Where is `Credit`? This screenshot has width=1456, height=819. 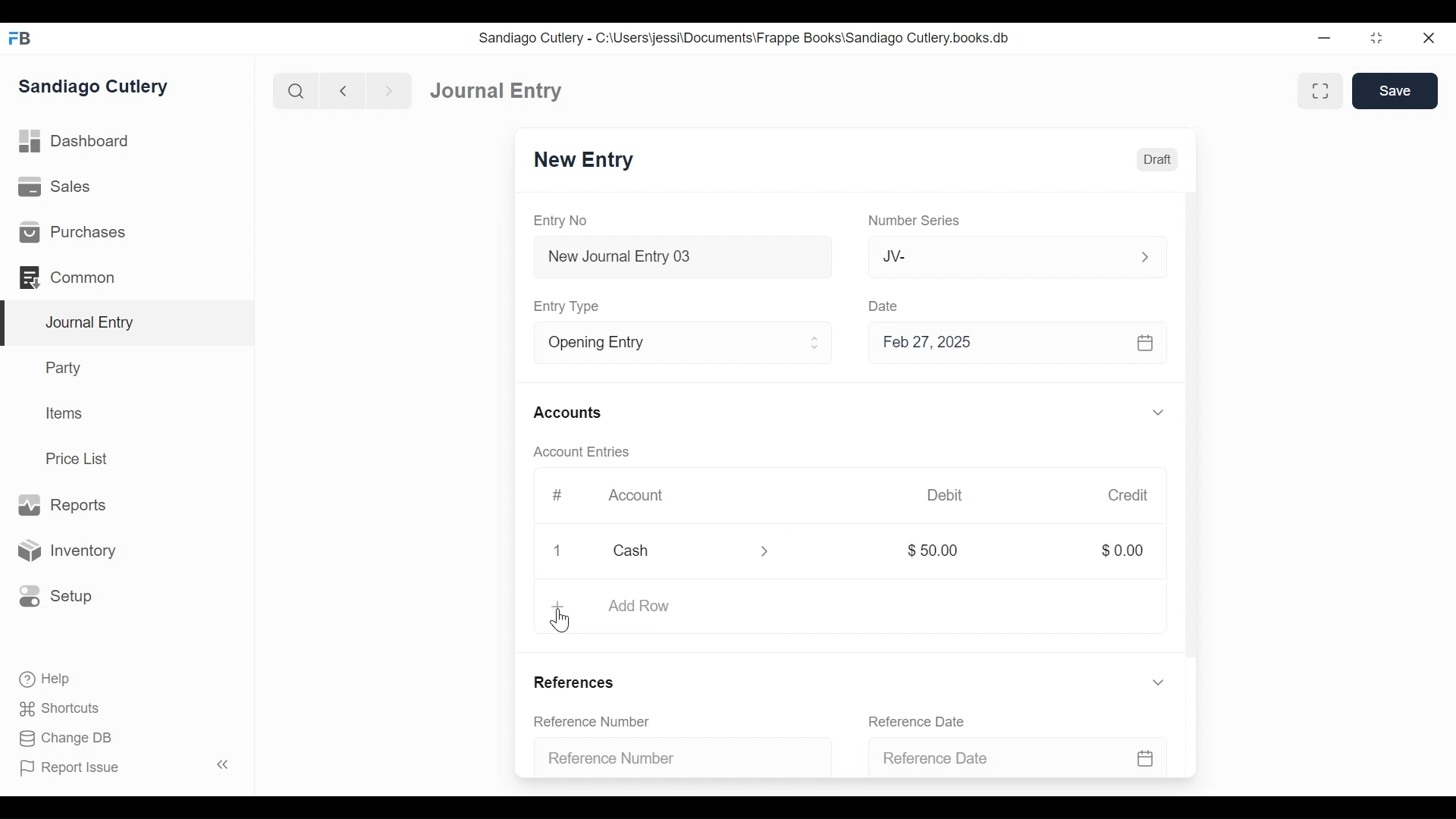
Credit is located at coordinates (1130, 495).